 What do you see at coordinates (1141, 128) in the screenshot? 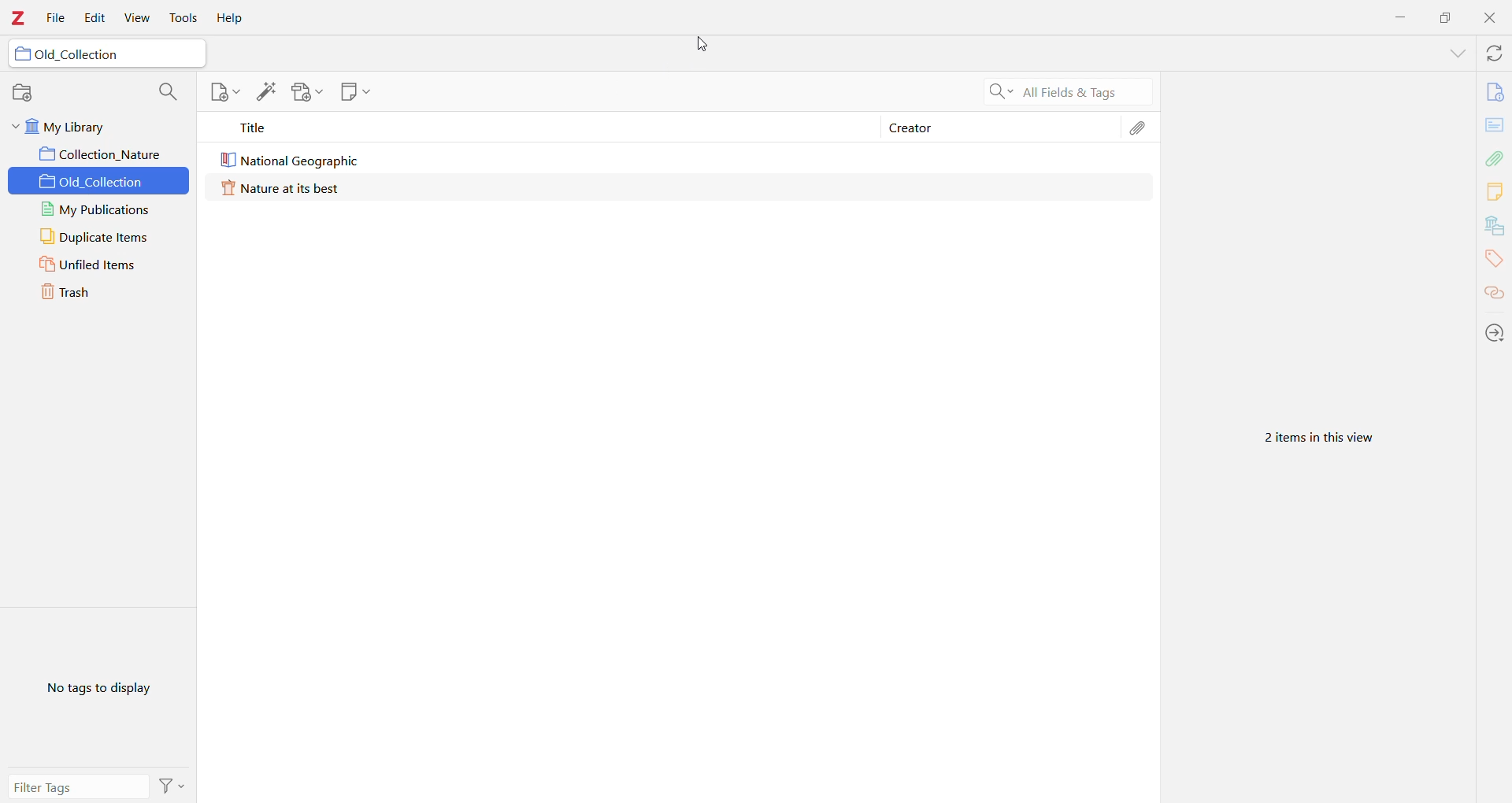
I see `Attachments` at bounding box center [1141, 128].